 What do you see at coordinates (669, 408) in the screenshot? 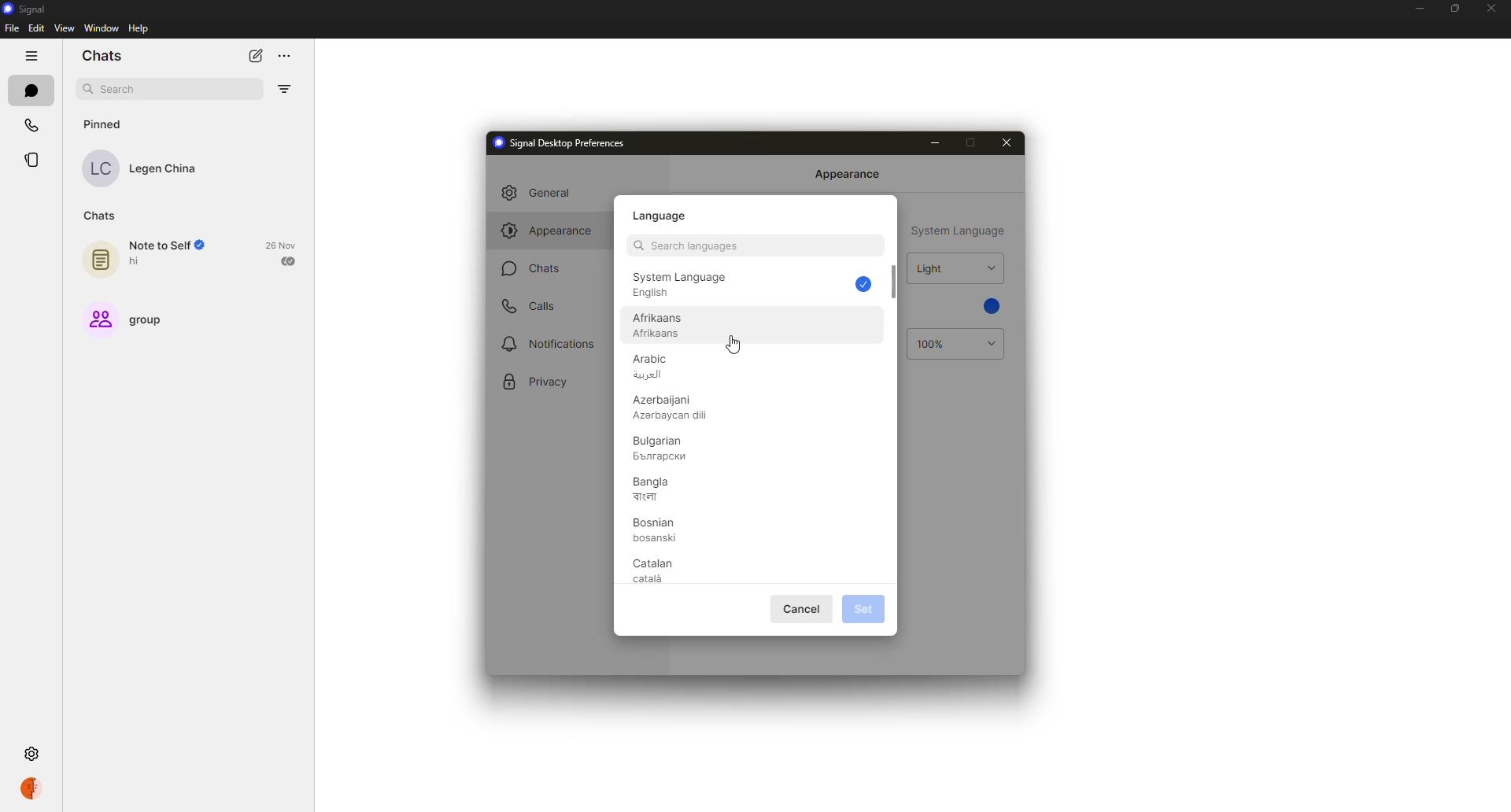
I see `azerbaijani` at bounding box center [669, 408].